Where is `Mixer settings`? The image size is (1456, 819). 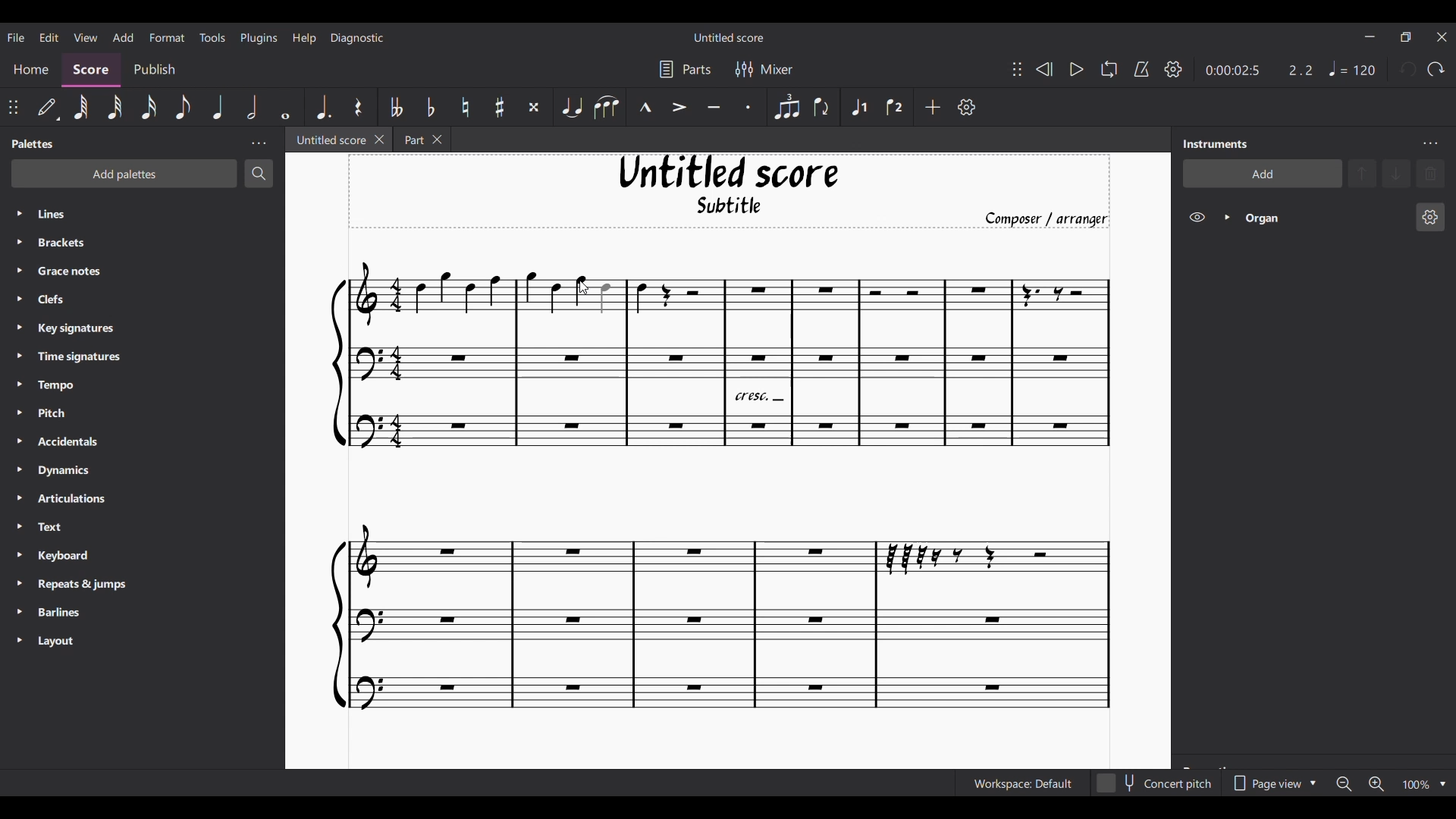 Mixer settings is located at coordinates (764, 70).